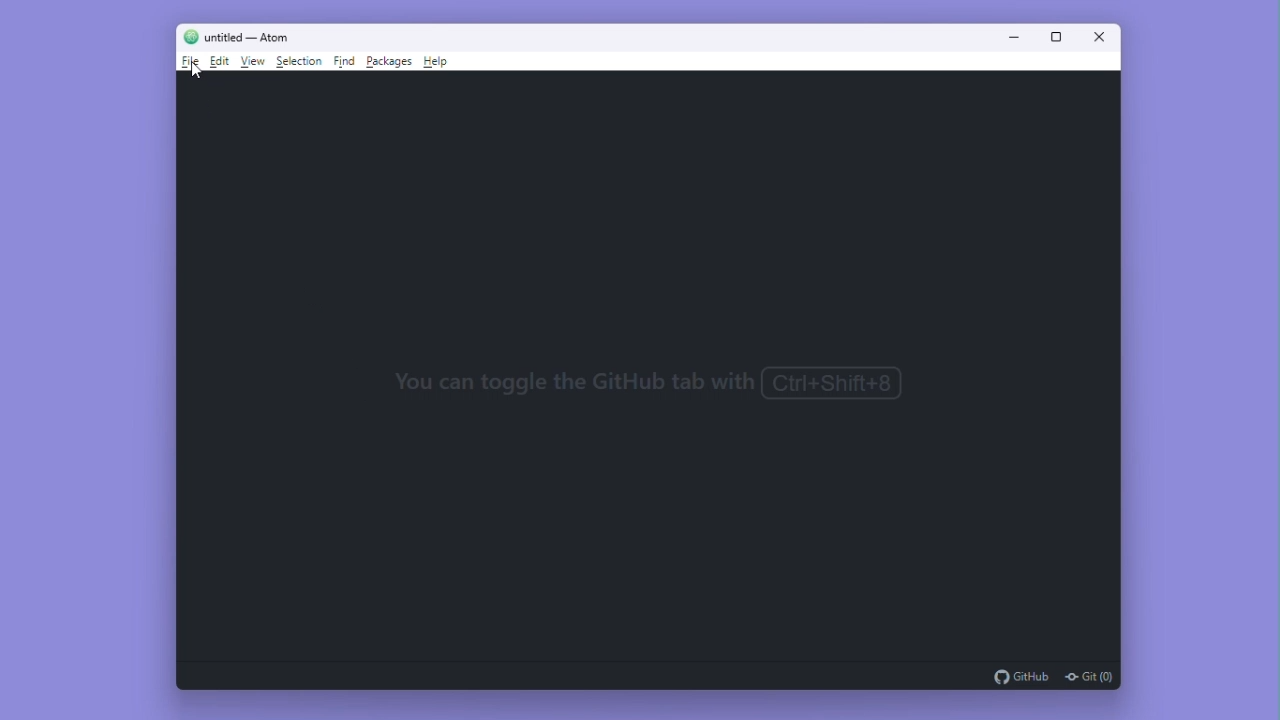  Describe the element at coordinates (199, 75) in the screenshot. I see `cursor` at that location.